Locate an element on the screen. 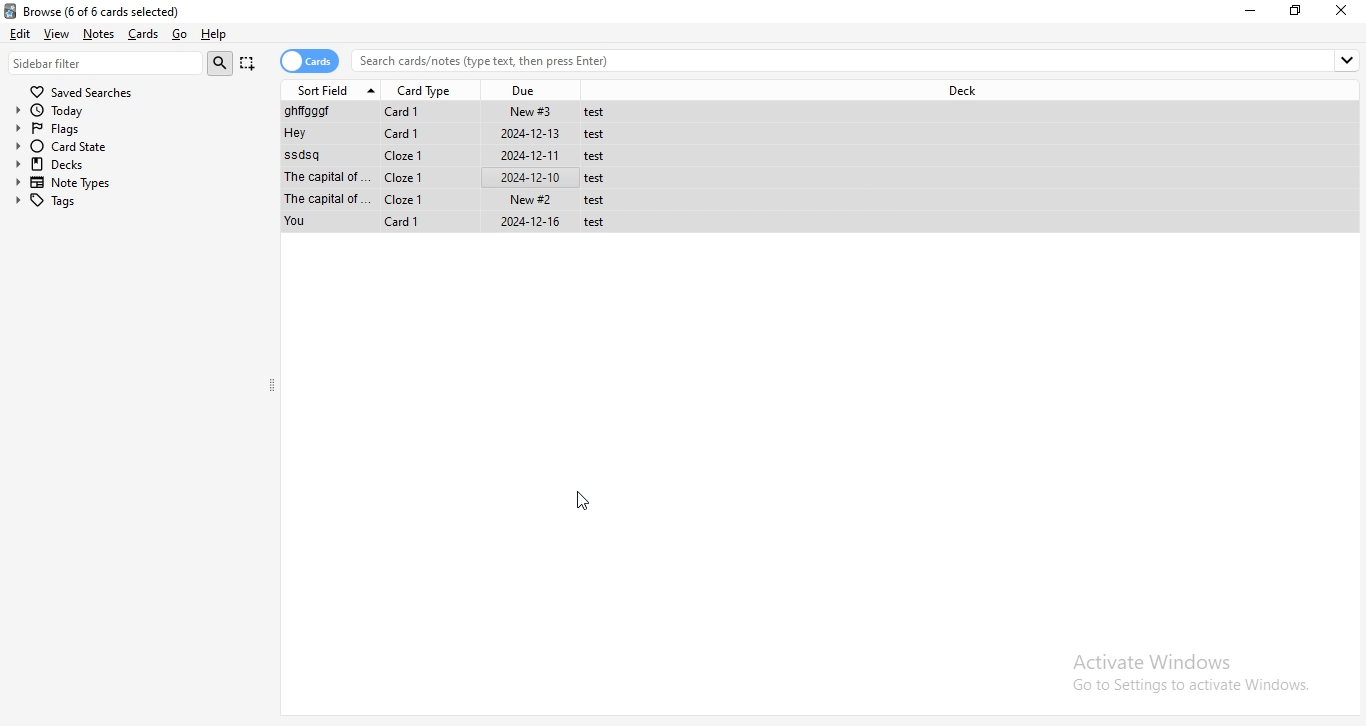 The height and width of the screenshot is (726, 1366). File is located at coordinates (456, 223).